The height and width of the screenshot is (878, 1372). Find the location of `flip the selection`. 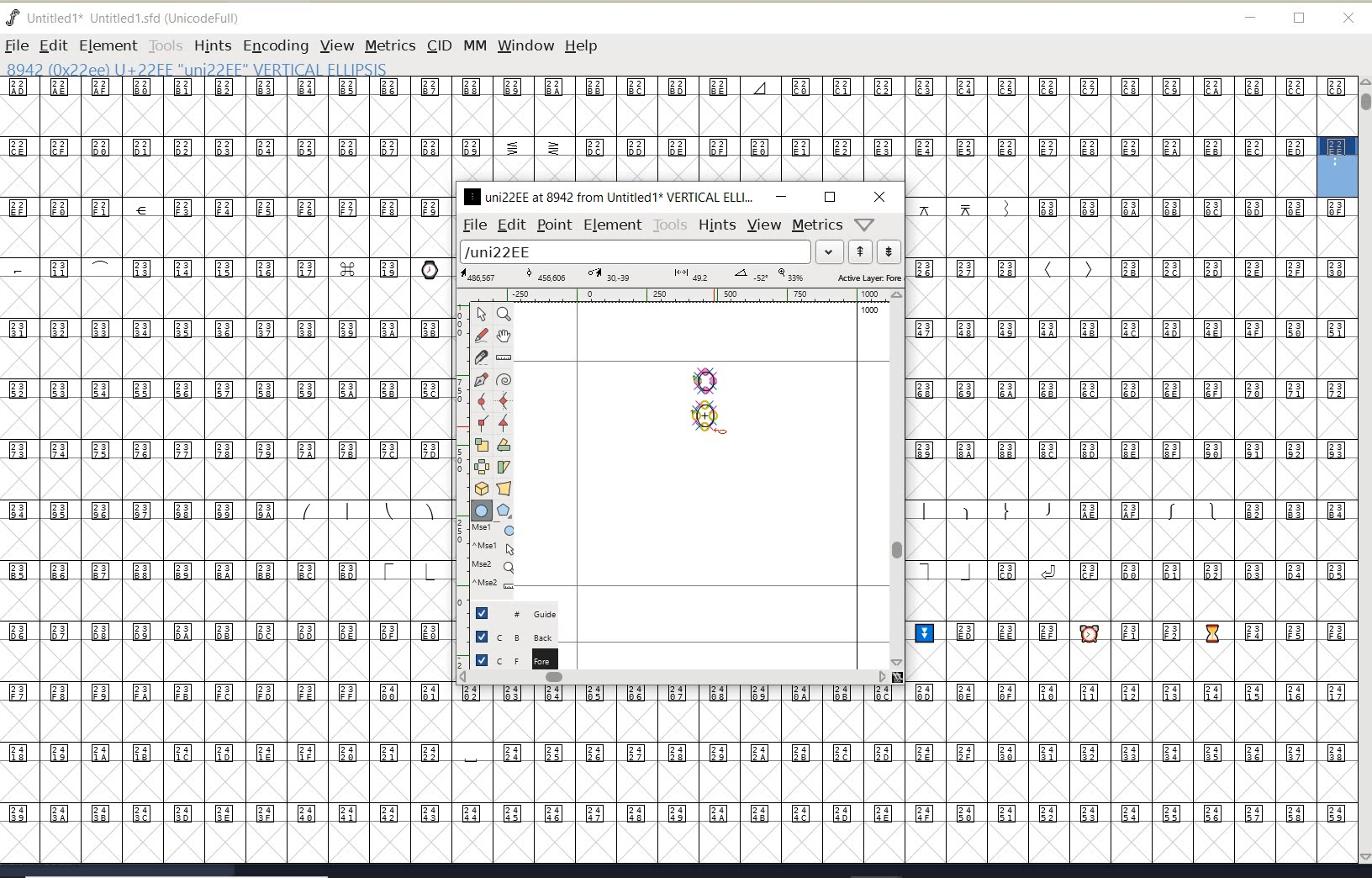

flip the selection is located at coordinates (482, 467).